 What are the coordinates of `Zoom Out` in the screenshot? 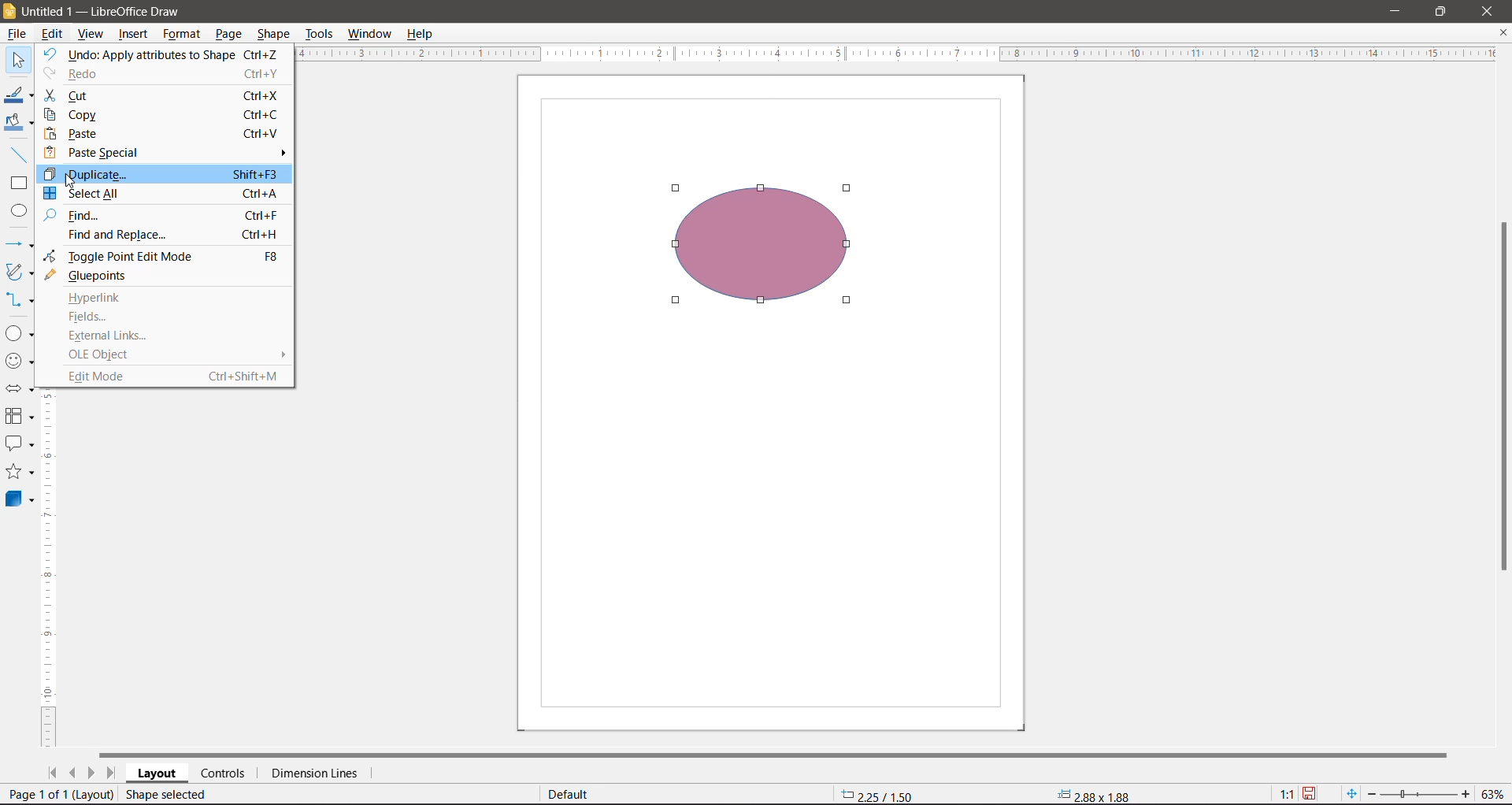 It's located at (1371, 795).